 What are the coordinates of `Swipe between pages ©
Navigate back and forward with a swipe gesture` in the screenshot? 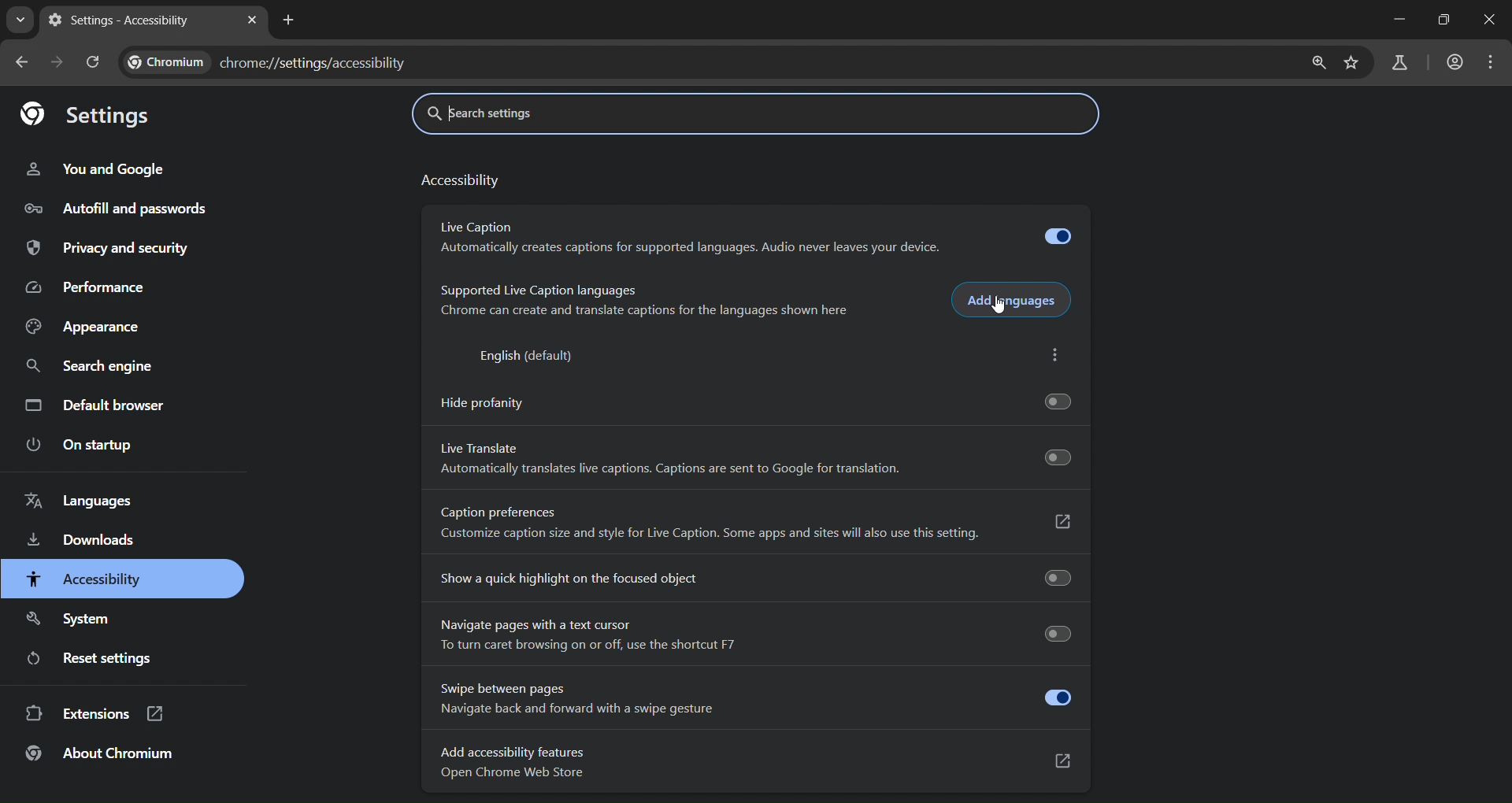 It's located at (754, 701).